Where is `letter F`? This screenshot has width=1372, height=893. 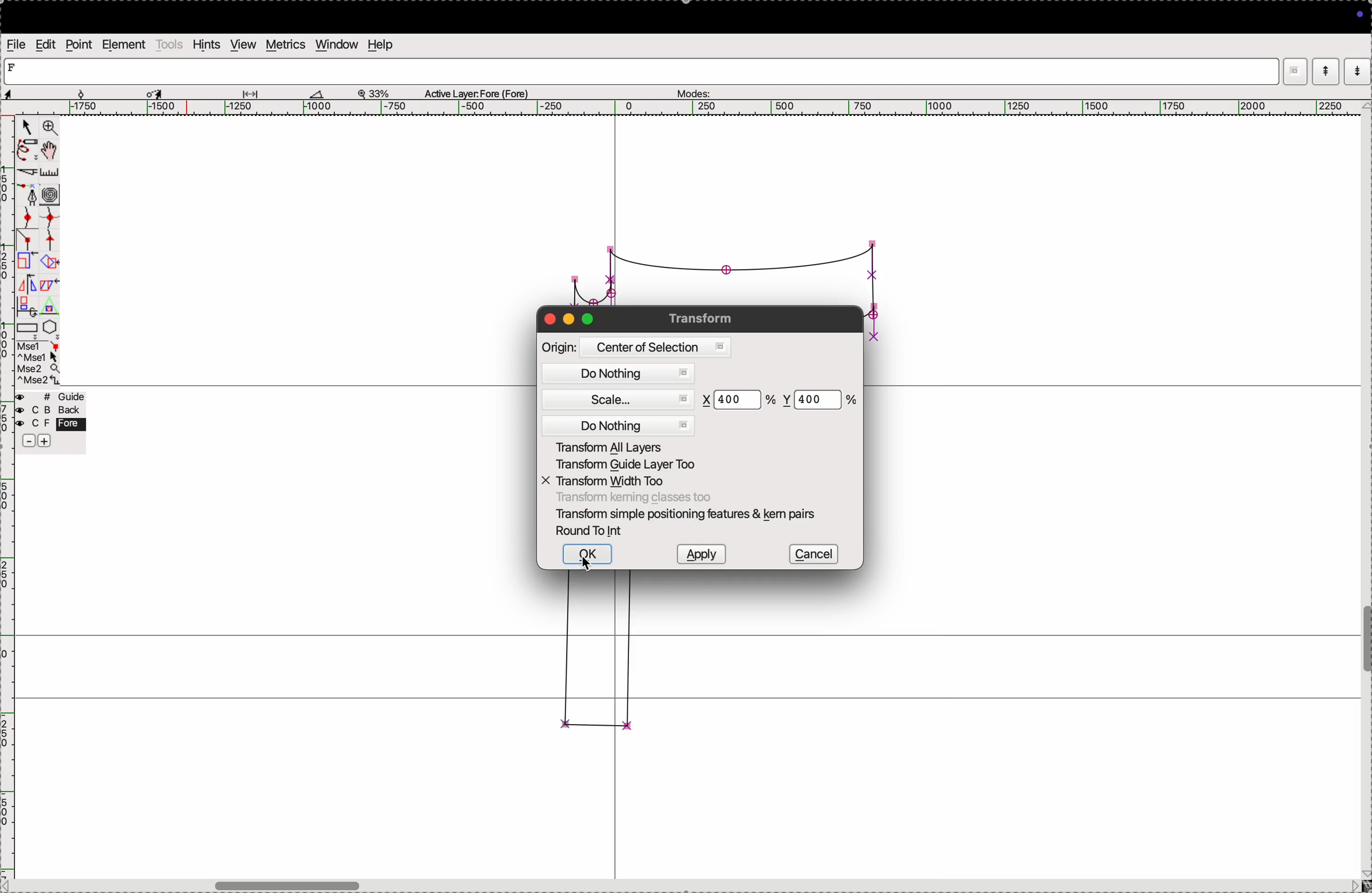
letter F is located at coordinates (14, 67).